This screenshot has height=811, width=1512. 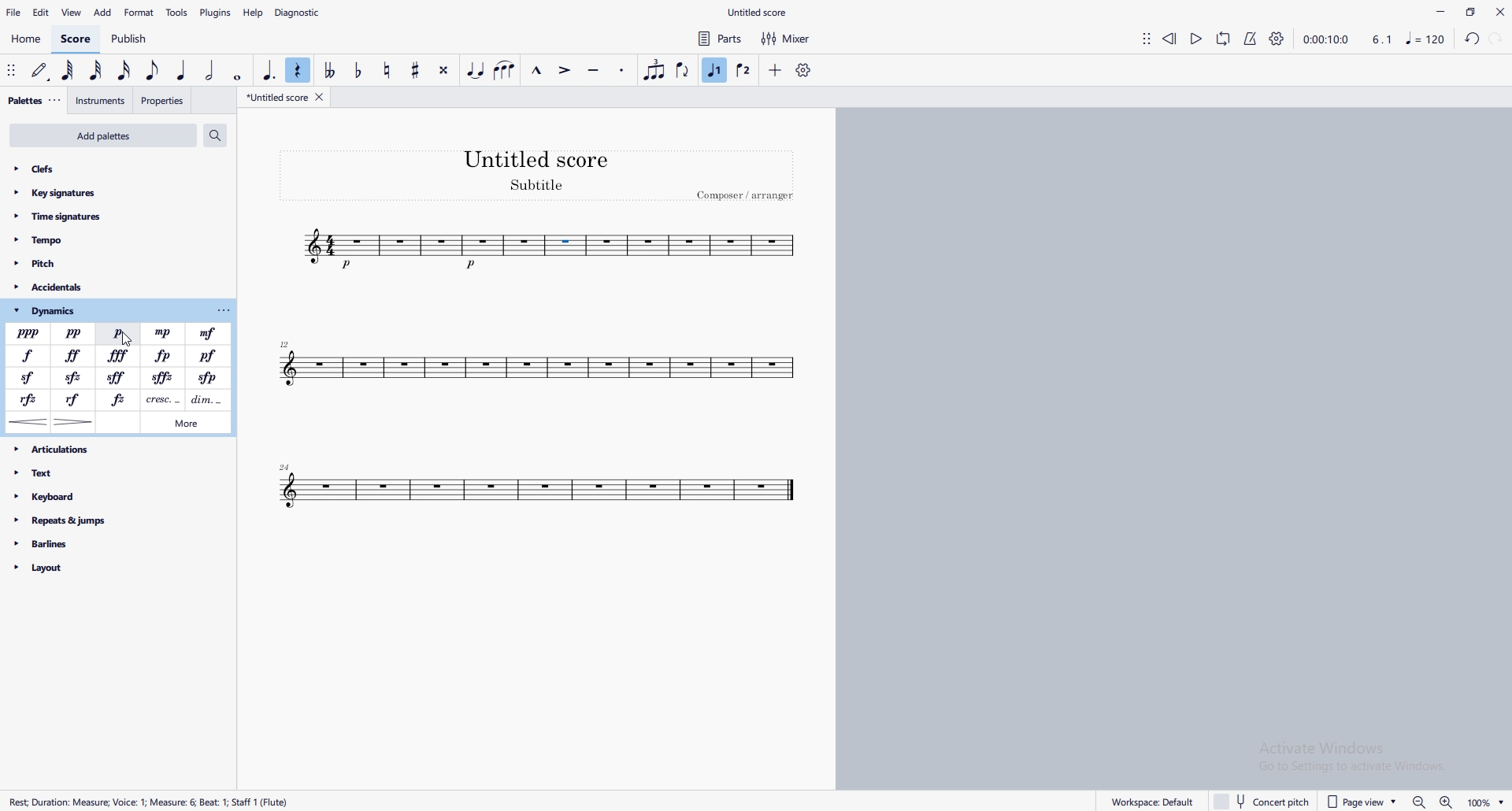 What do you see at coordinates (1141, 796) in the screenshot?
I see `workplace default` at bounding box center [1141, 796].